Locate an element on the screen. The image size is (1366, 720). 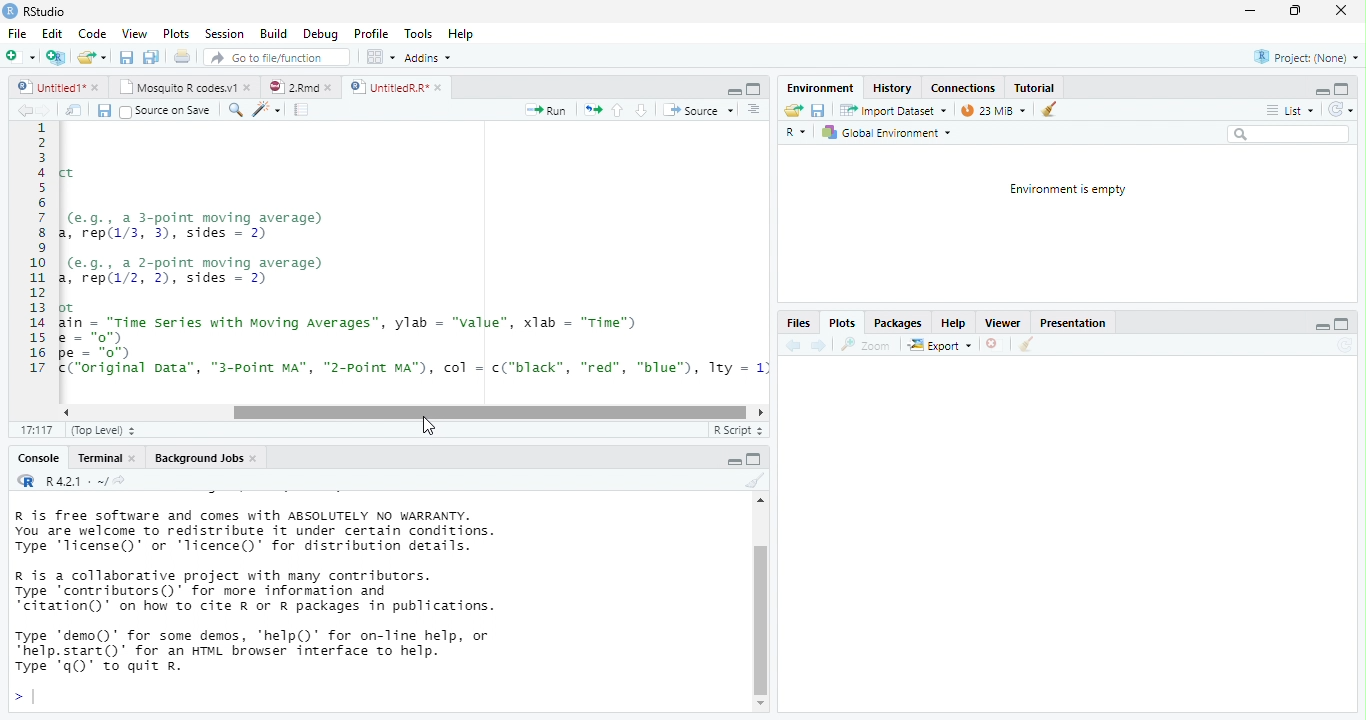
close is located at coordinates (97, 88).